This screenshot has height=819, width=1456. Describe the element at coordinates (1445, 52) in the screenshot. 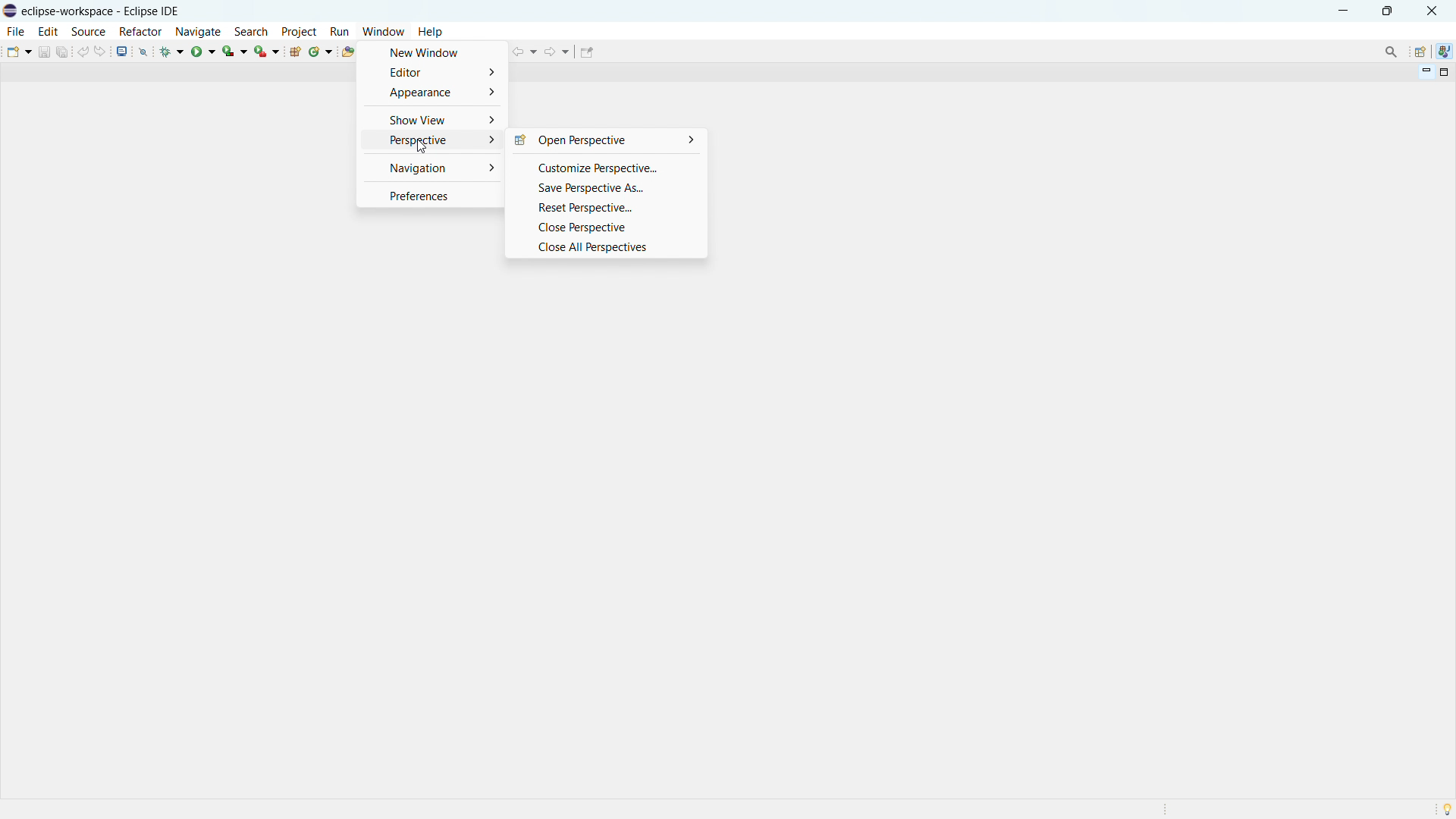

I see `java` at that location.